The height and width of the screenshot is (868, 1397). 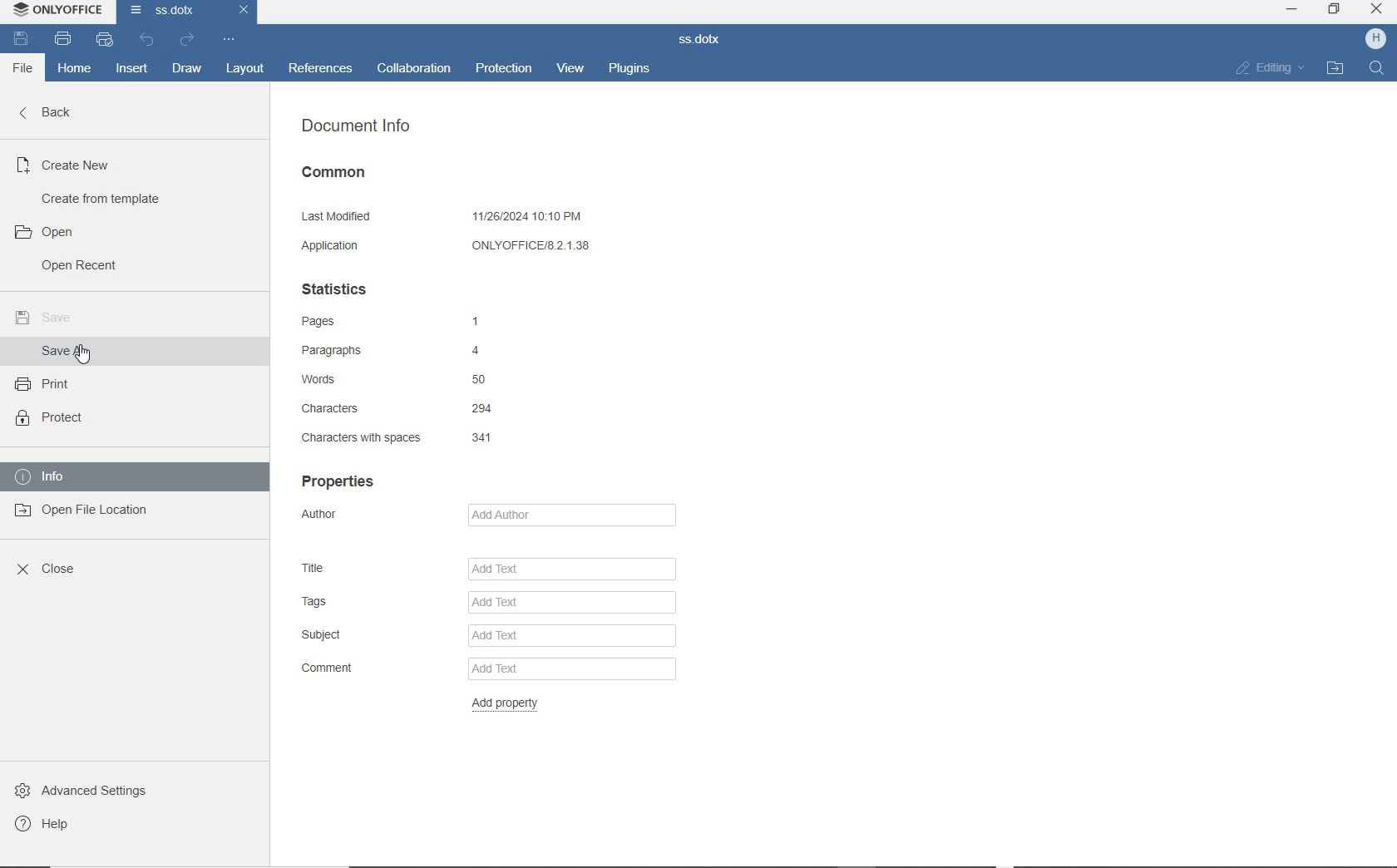 What do you see at coordinates (1377, 38) in the screenshot?
I see `HP` at bounding box center [1377, 38].